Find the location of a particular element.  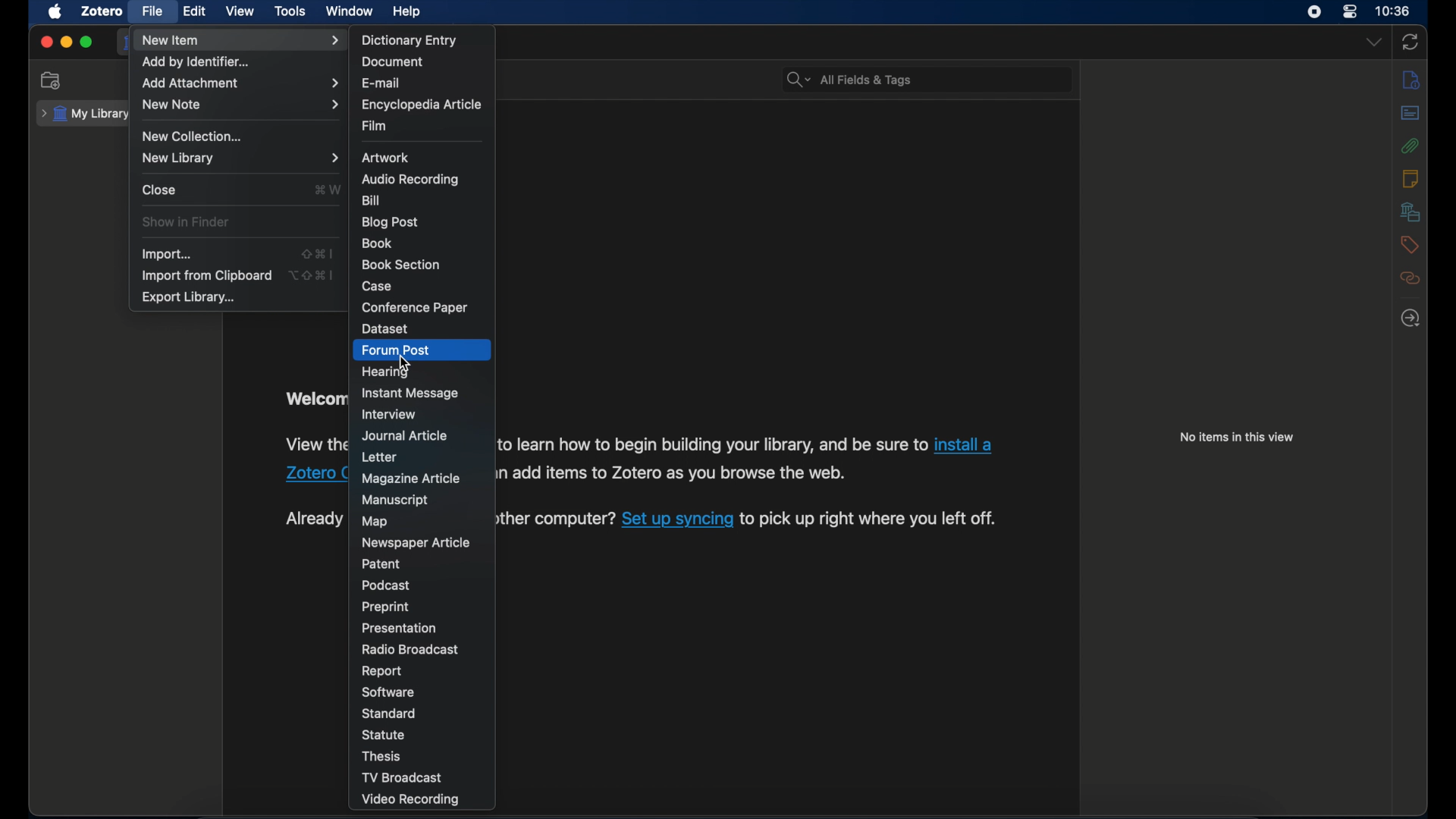

case is located at coordinates (377, 286).